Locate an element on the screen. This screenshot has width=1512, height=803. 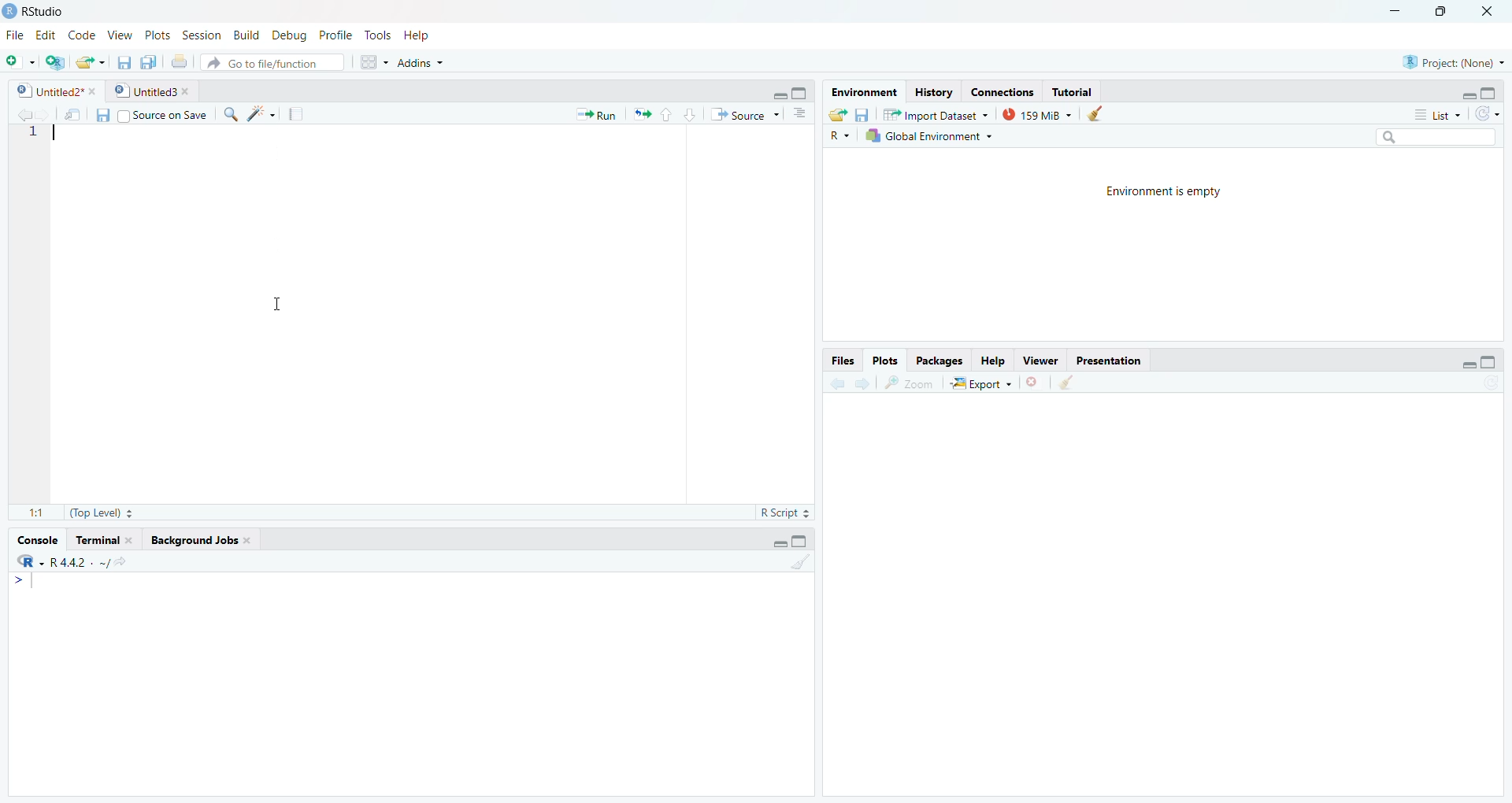
Plots is located at coordinates (155, 35).